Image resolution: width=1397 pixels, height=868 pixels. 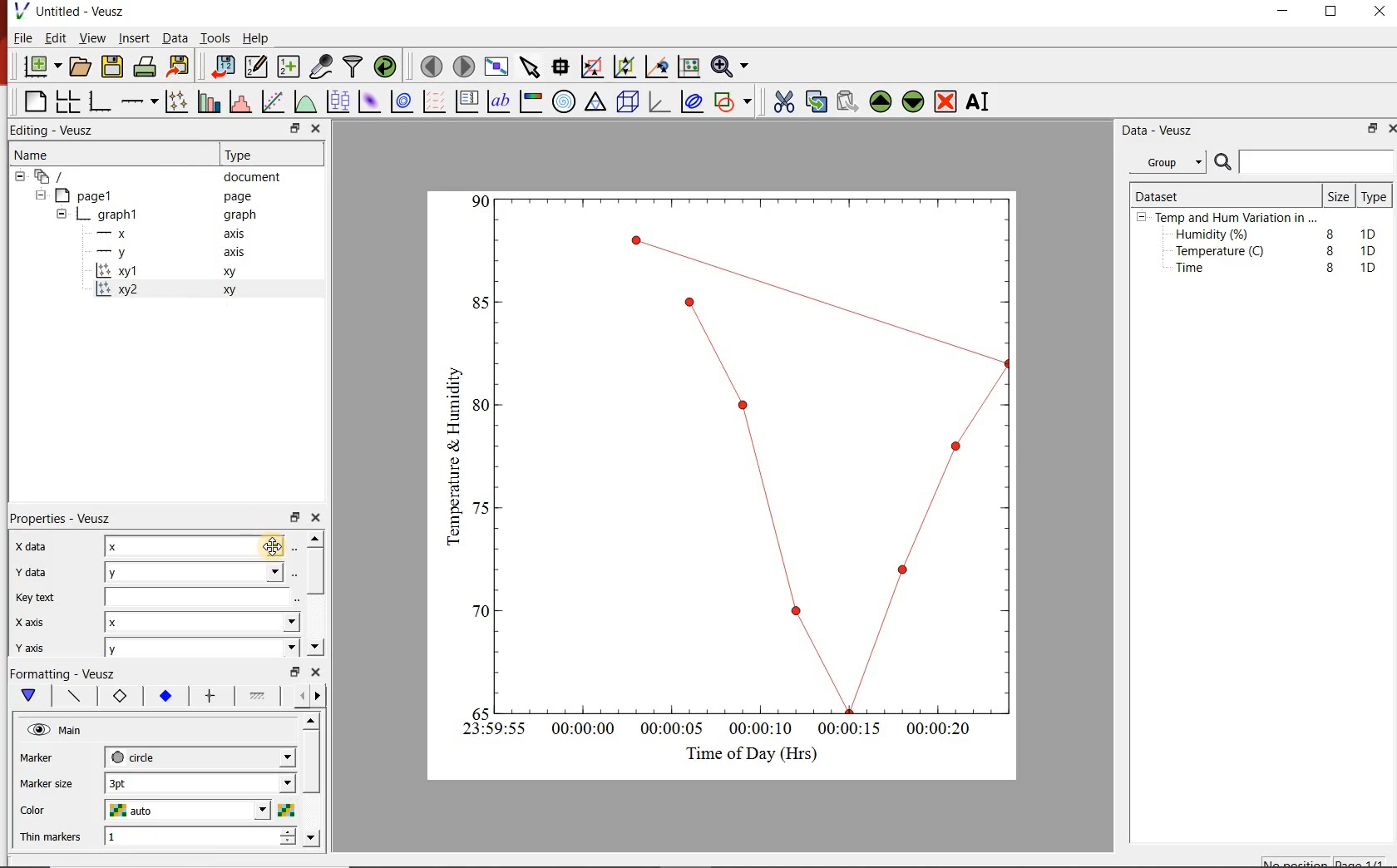 What do you see at coordinates (1372, 232) in the screenshot?
I see `1D` at bounding box center [1372, 232].